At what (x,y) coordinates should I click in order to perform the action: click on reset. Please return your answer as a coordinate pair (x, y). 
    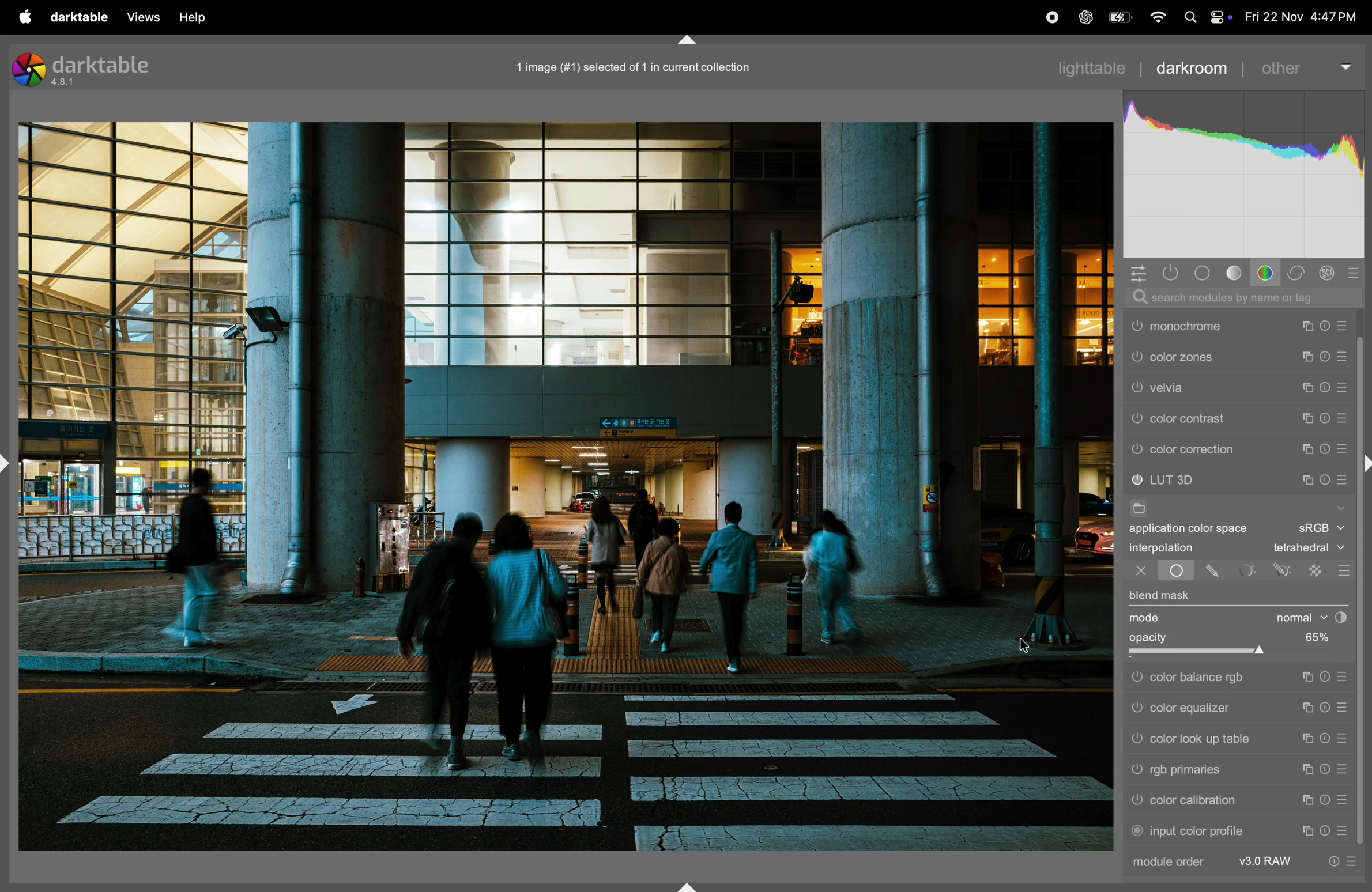
    Looking at the image, I should click on (1325, 830).